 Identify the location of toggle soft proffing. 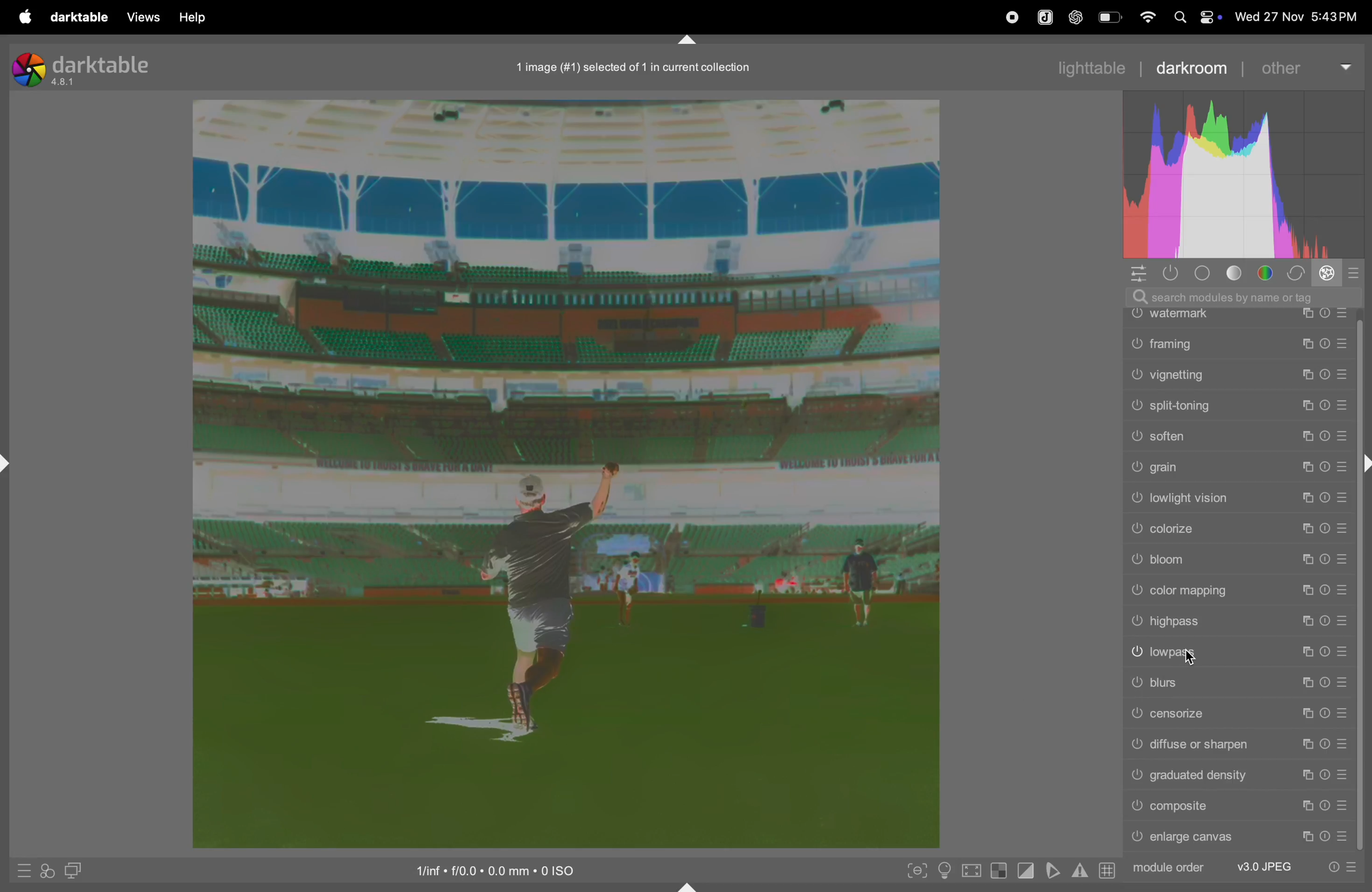
(1053, 870).